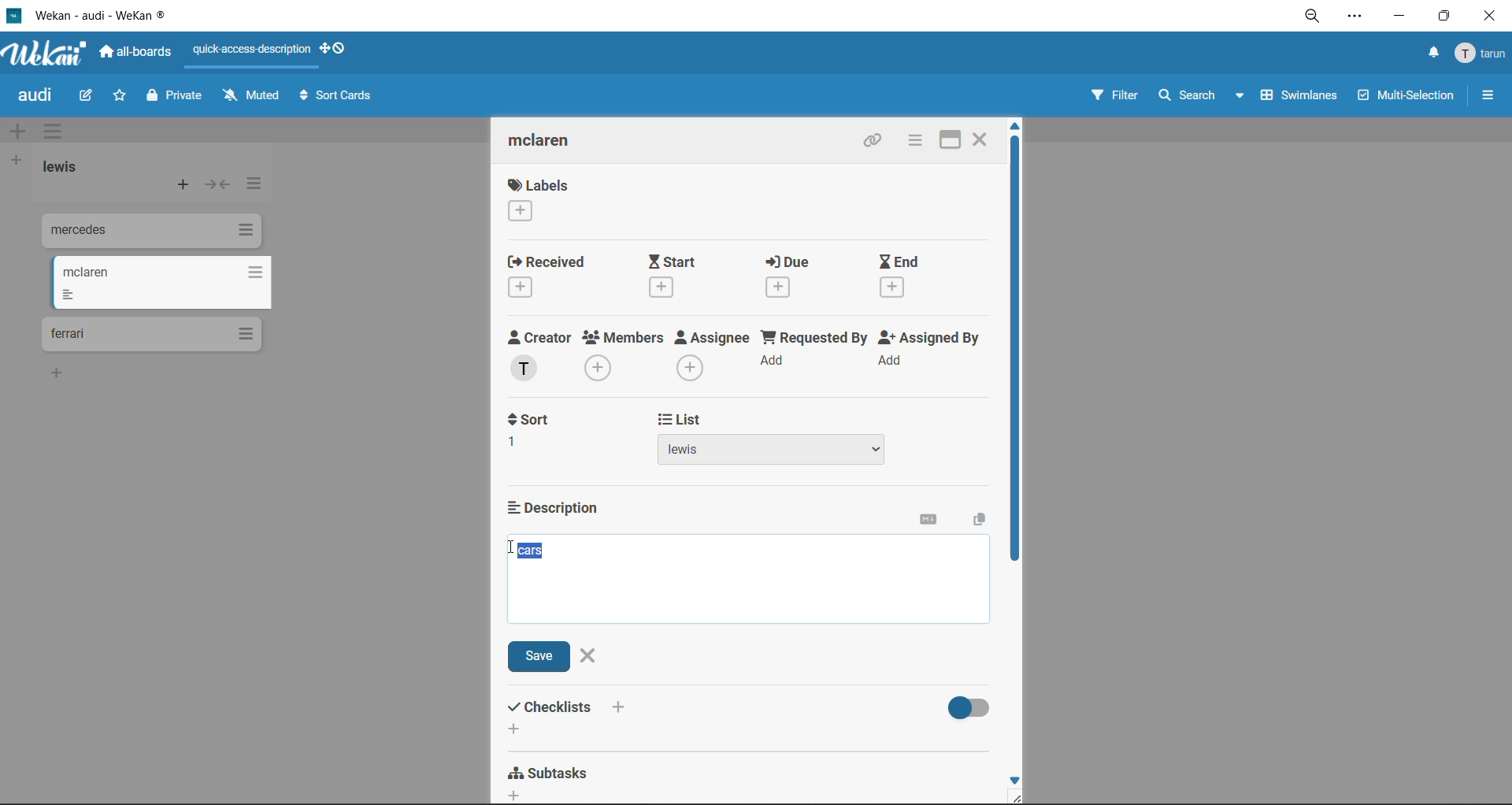 This screenshot has height=805, width=1512. I want to click on sidebar, so click(1488, 95).